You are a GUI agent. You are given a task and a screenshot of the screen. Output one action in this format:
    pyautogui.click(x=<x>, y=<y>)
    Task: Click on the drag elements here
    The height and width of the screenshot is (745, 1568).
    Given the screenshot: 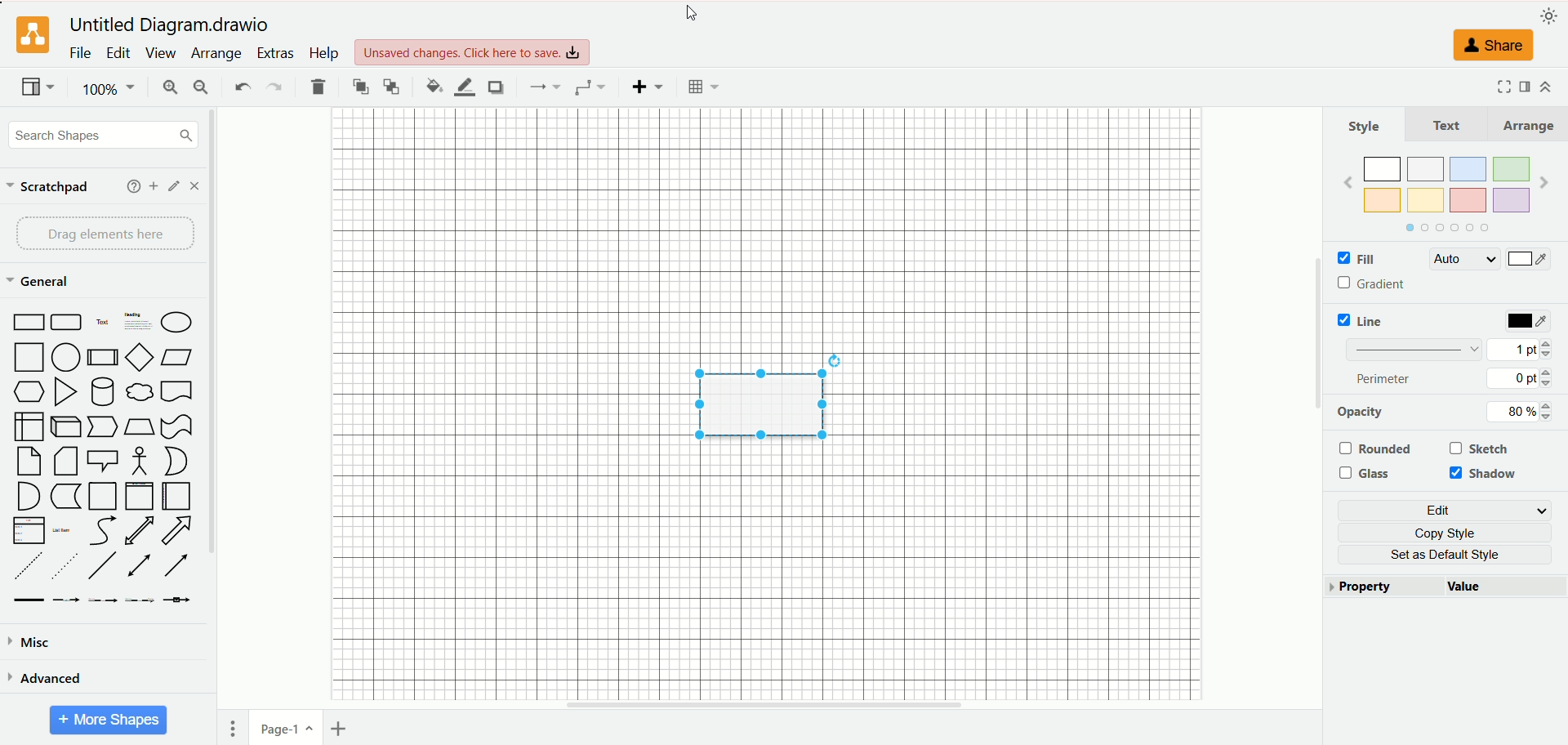 What is the action you would take?
    pyautogui.click(x=107, y=234)
    